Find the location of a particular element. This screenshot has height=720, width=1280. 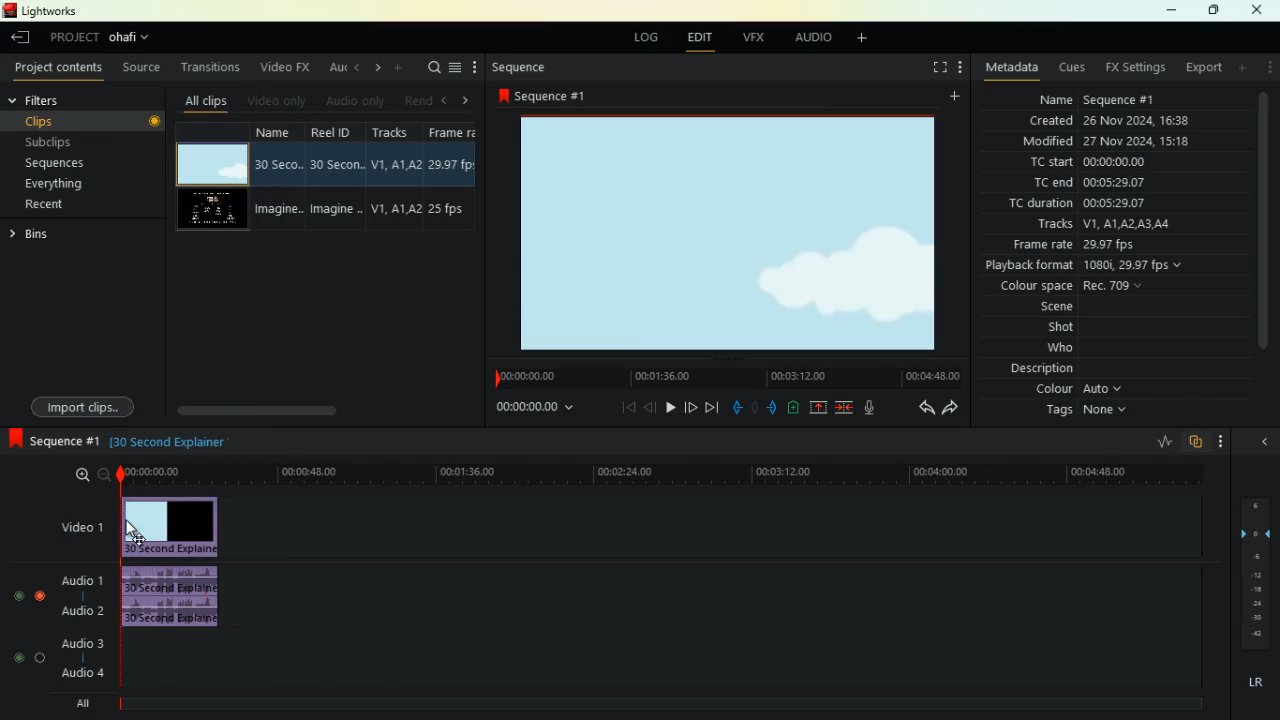

video is located at coordinates (208, 163).